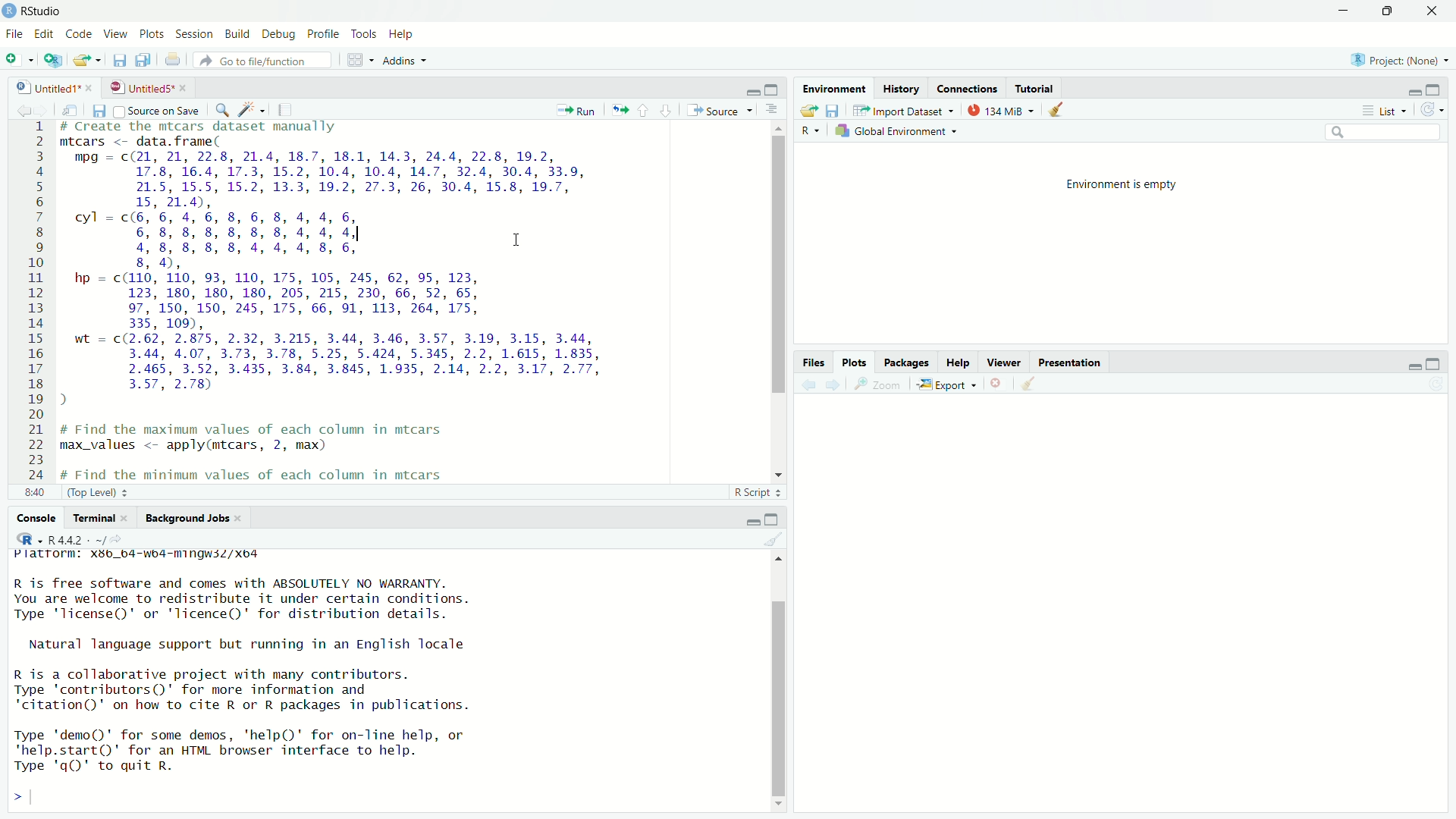  What do you see at coordinates (80, 34) in the screenshot?
I see `Code` at bounding box center [80, 34].